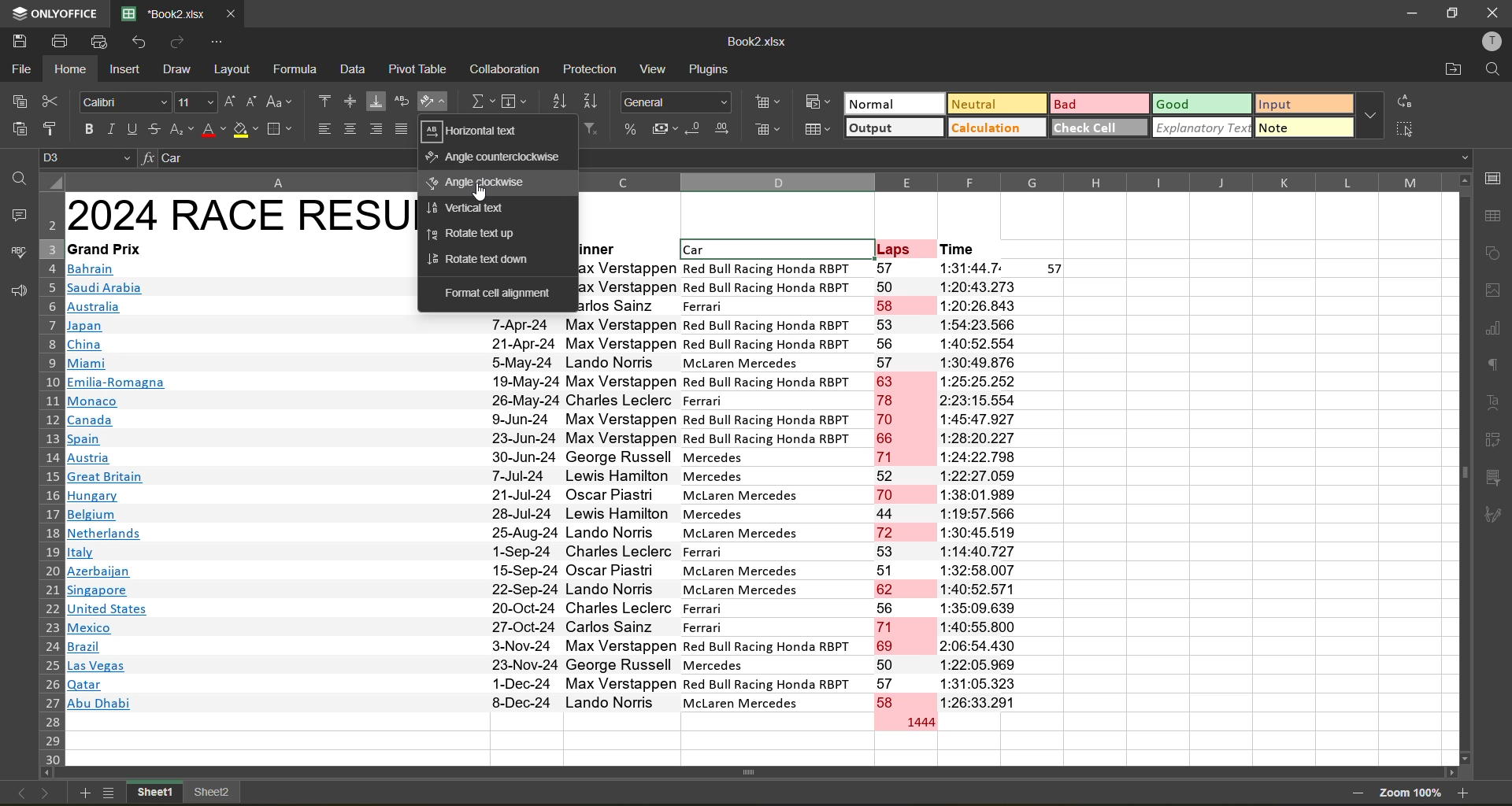 The width and height of the screenshot is (1512, 806). Describe the element at coordinates (891, 128) in the screenshot. I see `output` at that location.